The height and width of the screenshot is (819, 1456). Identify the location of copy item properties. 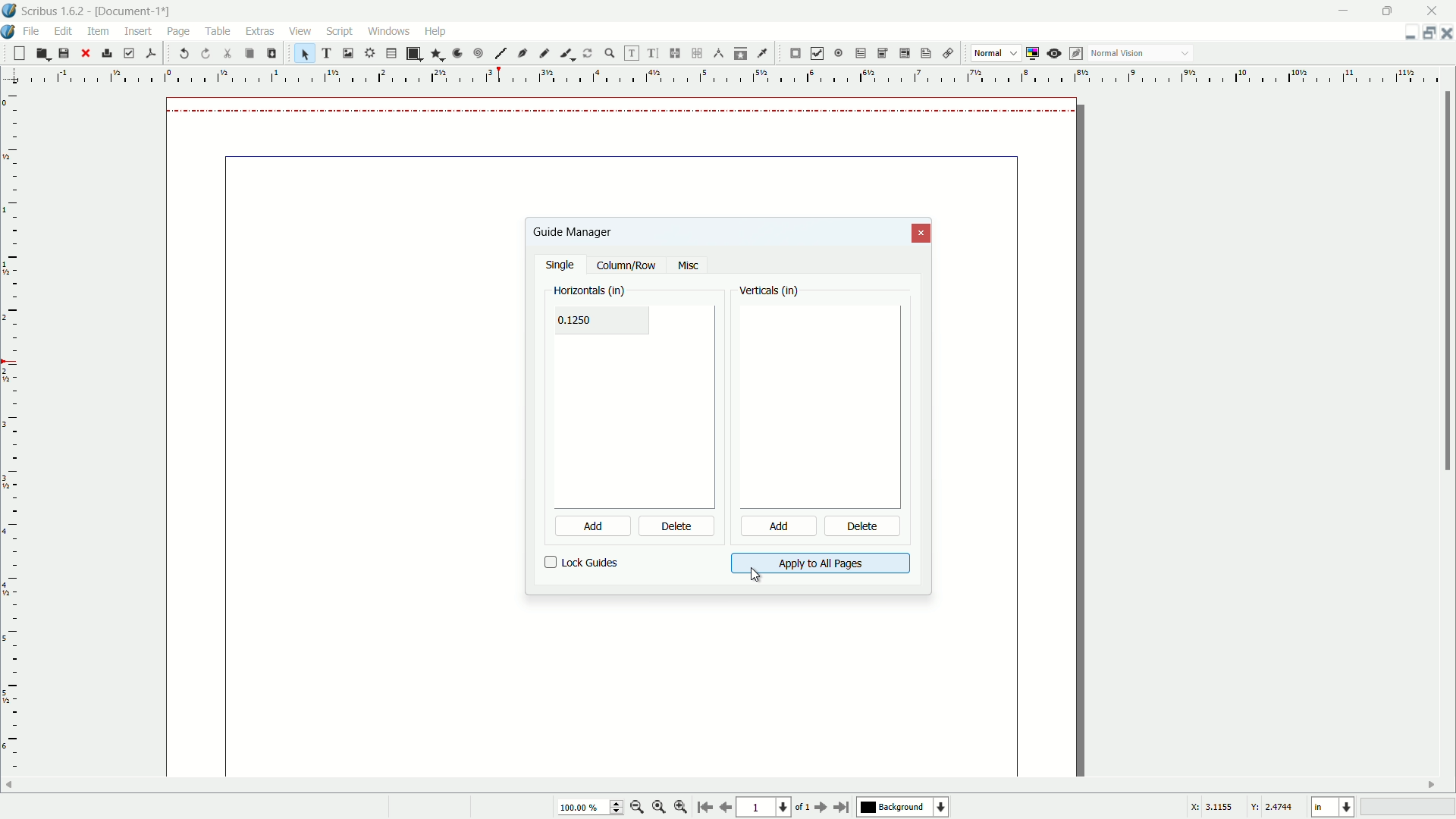
(741, 53).